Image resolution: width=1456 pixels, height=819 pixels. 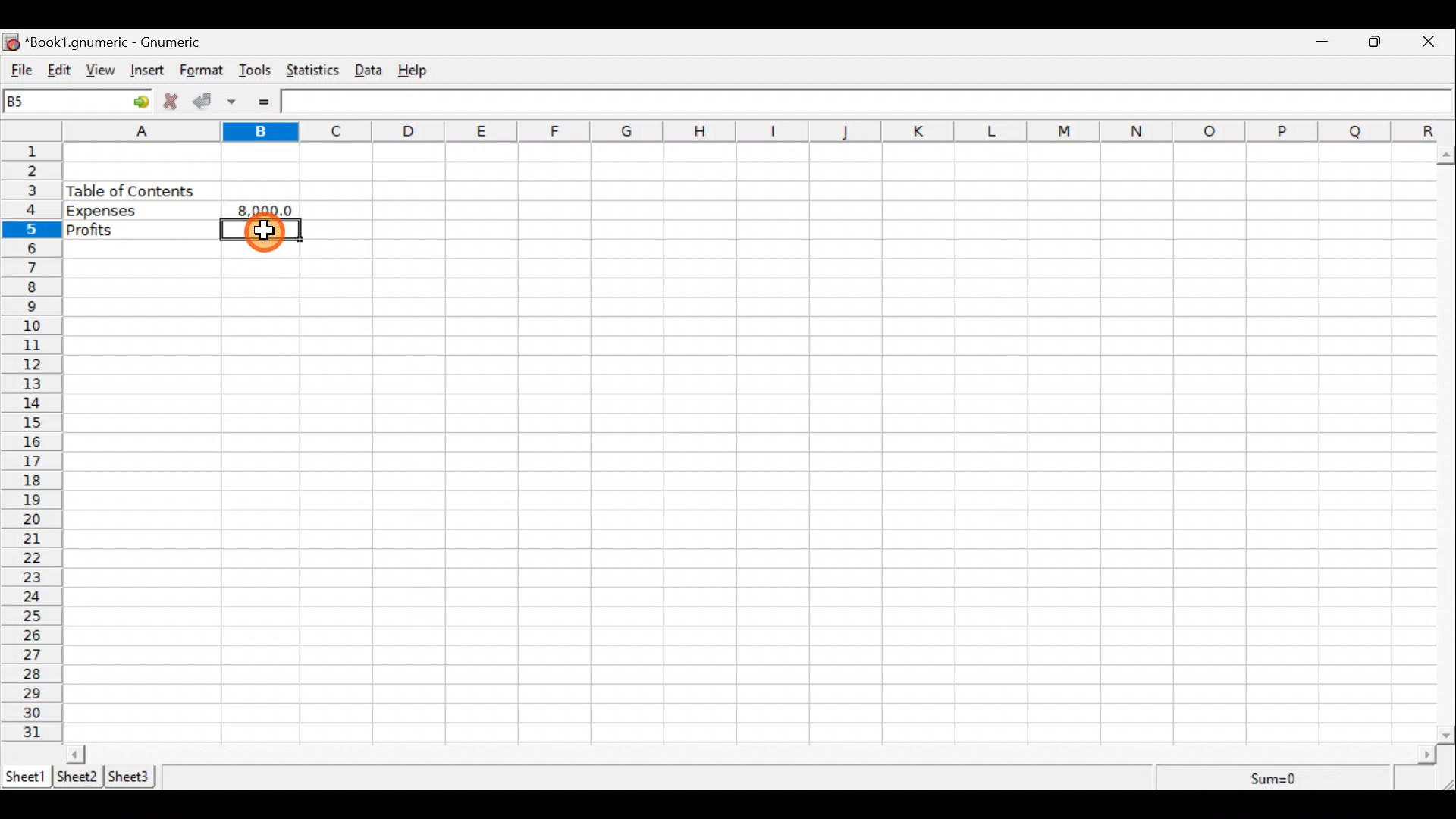 I want to click on Maximize/Minimize, so click(x=1379, y=42).